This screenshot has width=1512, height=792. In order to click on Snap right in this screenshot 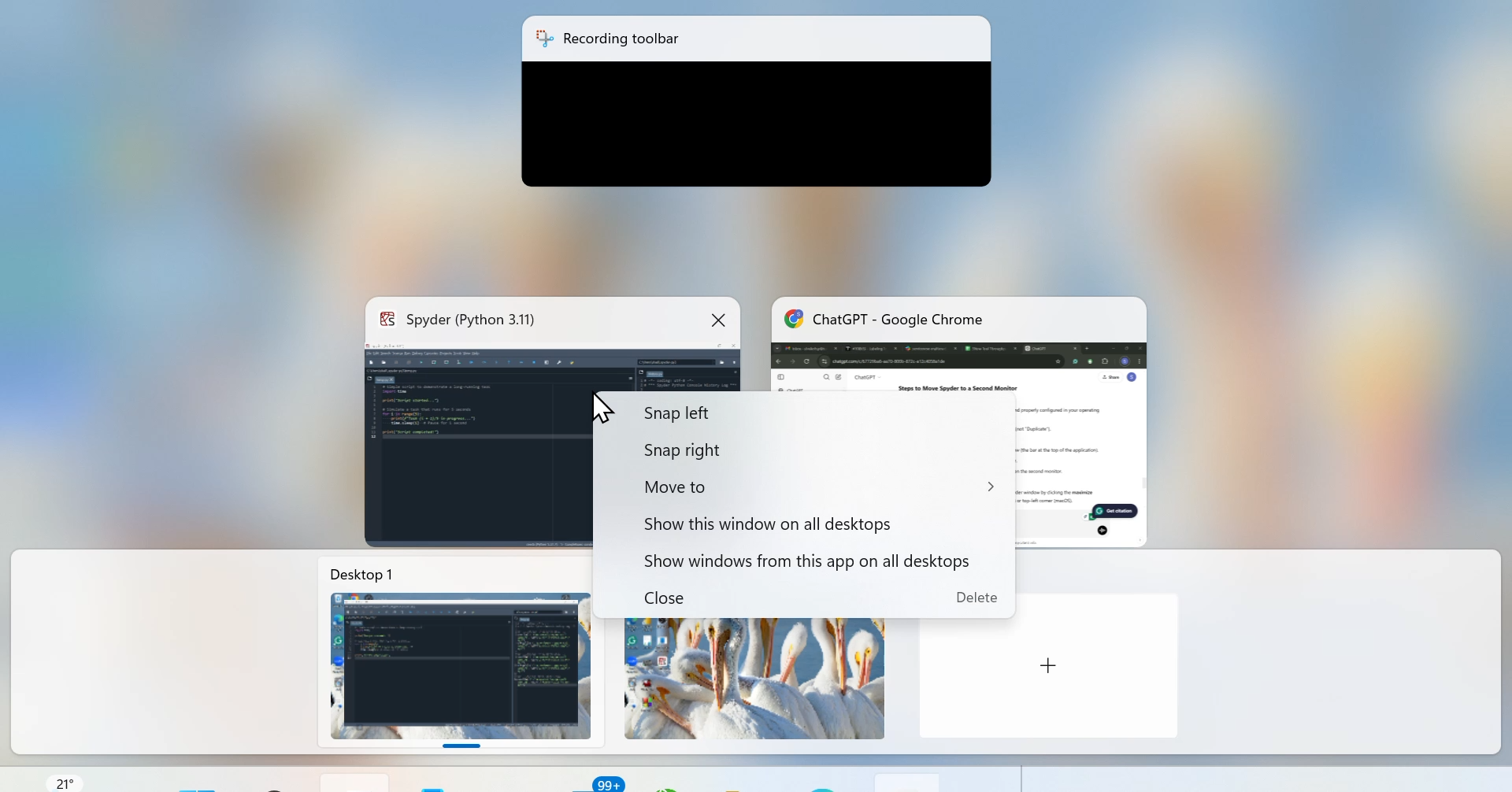, I will do `click(781, 450)`.